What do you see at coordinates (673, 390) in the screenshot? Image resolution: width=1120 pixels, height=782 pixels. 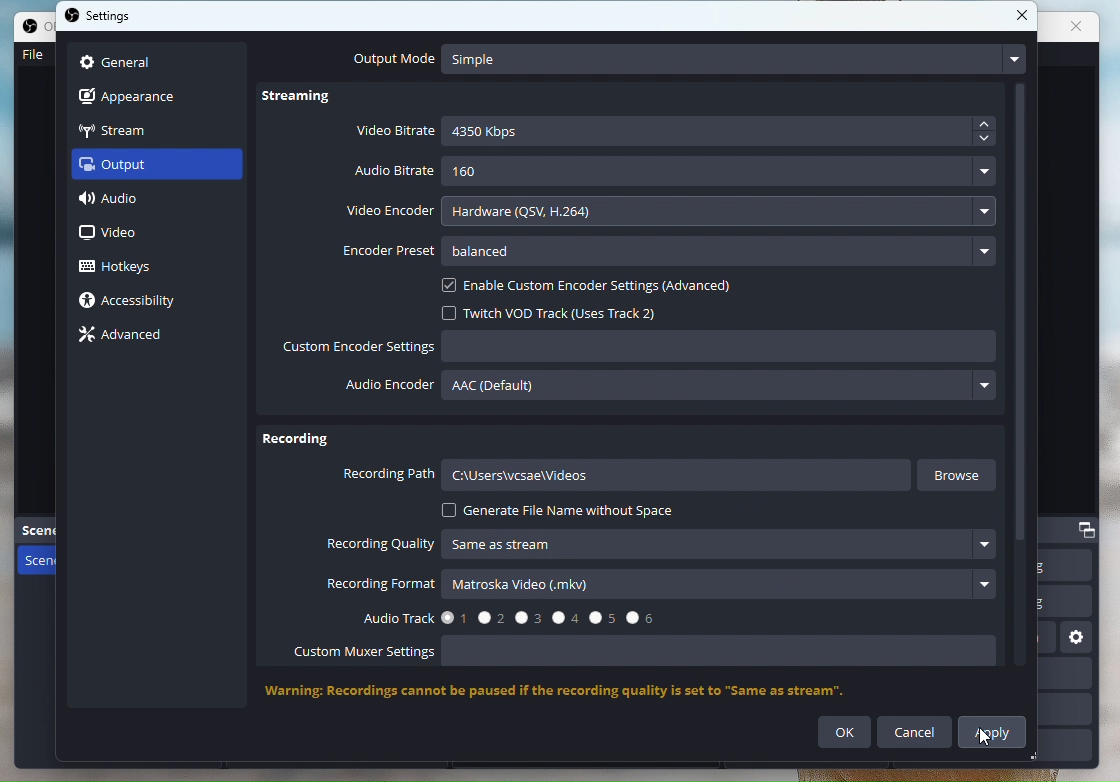 I see `Audio Encoder` at bounding box center [673, 390].